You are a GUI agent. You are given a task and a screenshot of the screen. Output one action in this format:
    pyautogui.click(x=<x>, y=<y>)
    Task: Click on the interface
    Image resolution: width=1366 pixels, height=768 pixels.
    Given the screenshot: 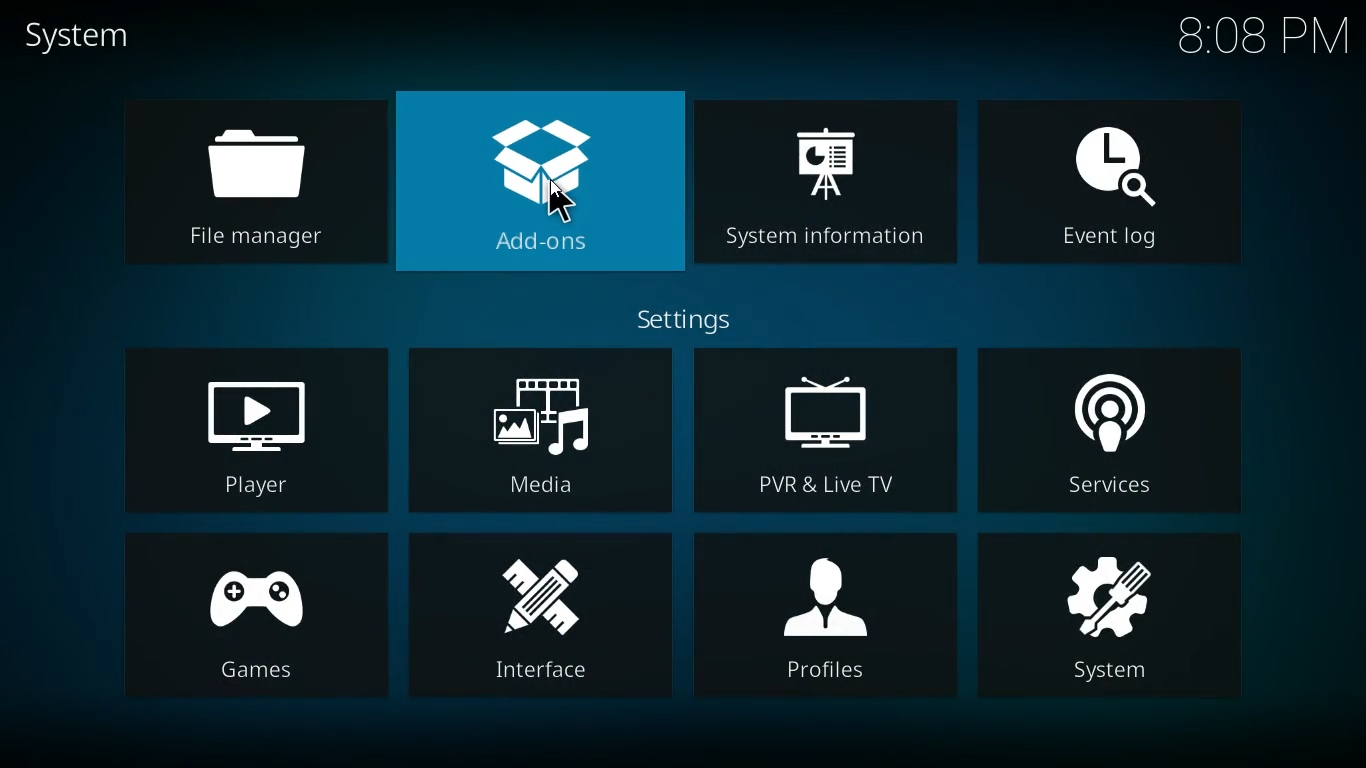 What is the action you would take?
    pyautogui.click(x=547, y=616)
    